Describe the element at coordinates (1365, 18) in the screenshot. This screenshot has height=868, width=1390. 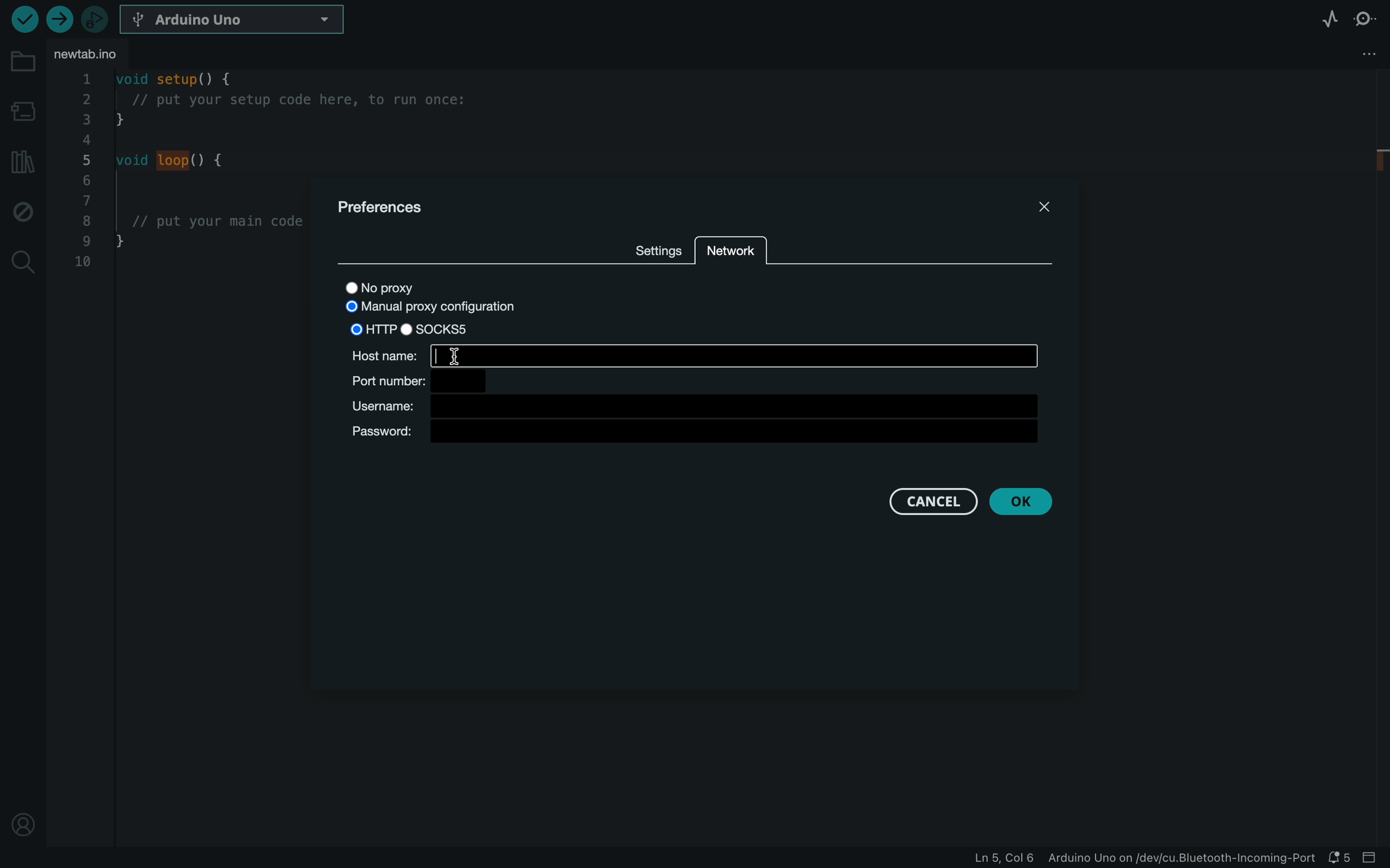
I see `serial monitor` at that location.